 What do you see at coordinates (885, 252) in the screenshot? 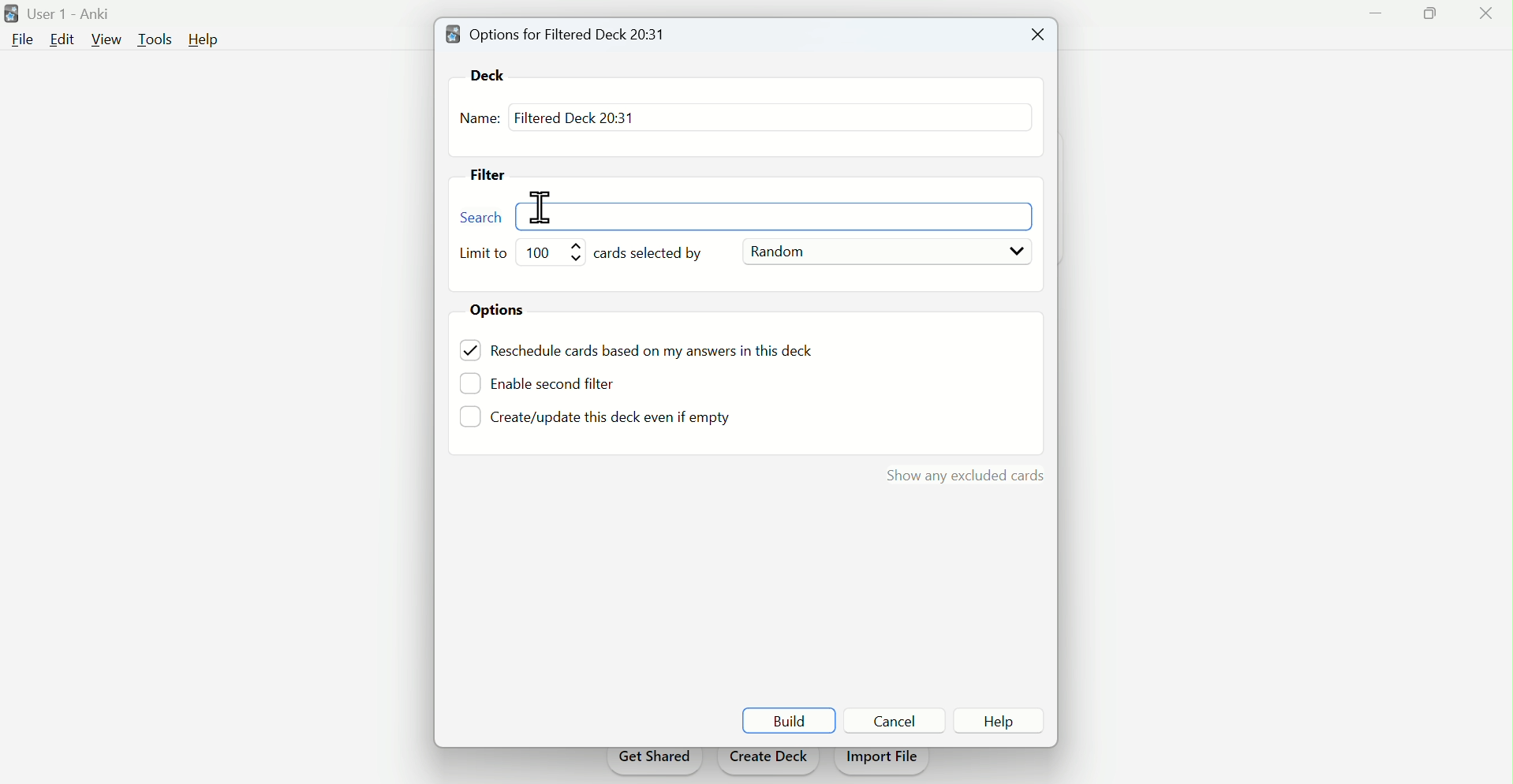
I see `Random` at bounding box center [885, 252].